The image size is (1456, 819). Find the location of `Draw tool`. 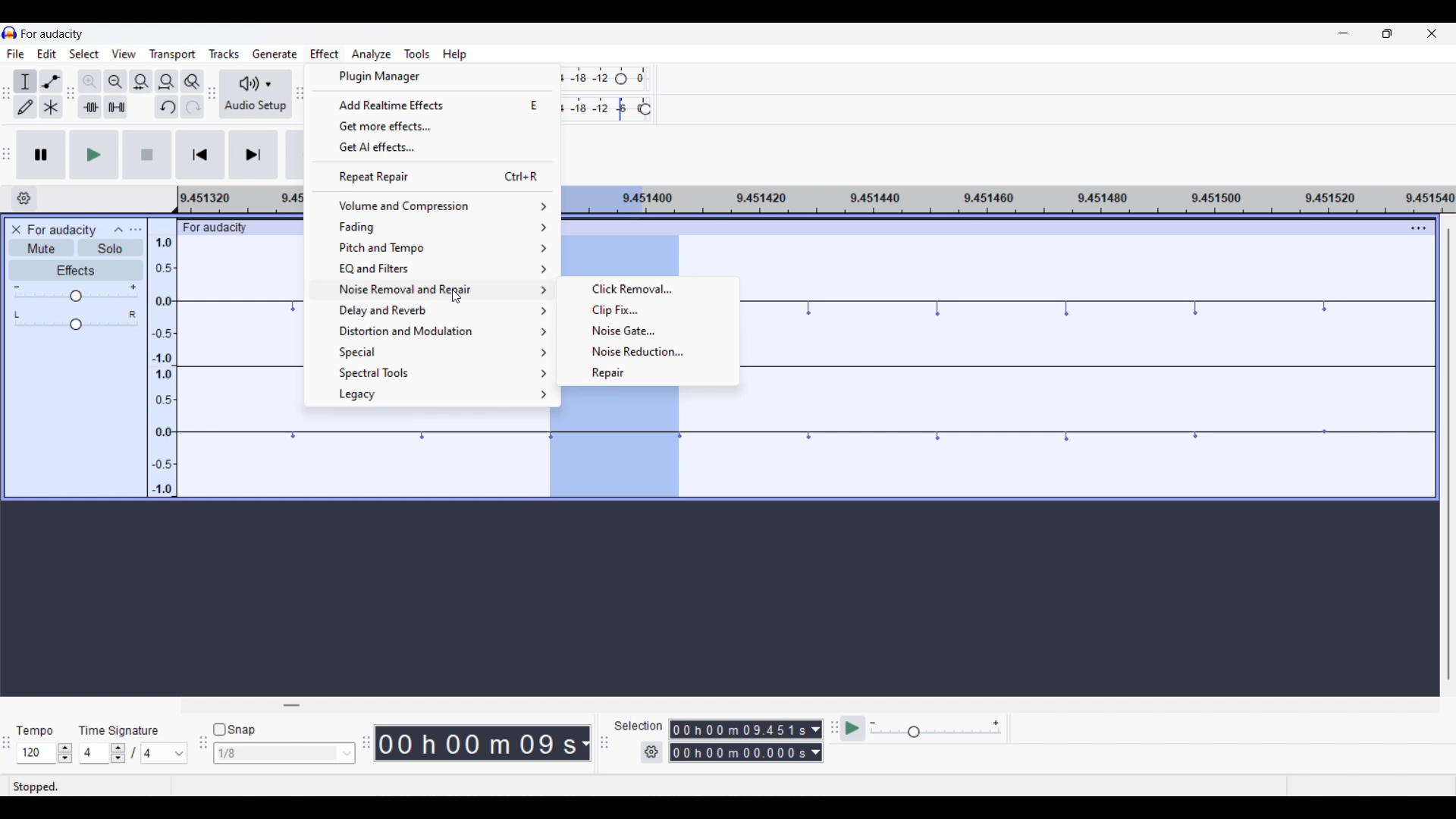

Draw tool is located at coordinates (26, 107).